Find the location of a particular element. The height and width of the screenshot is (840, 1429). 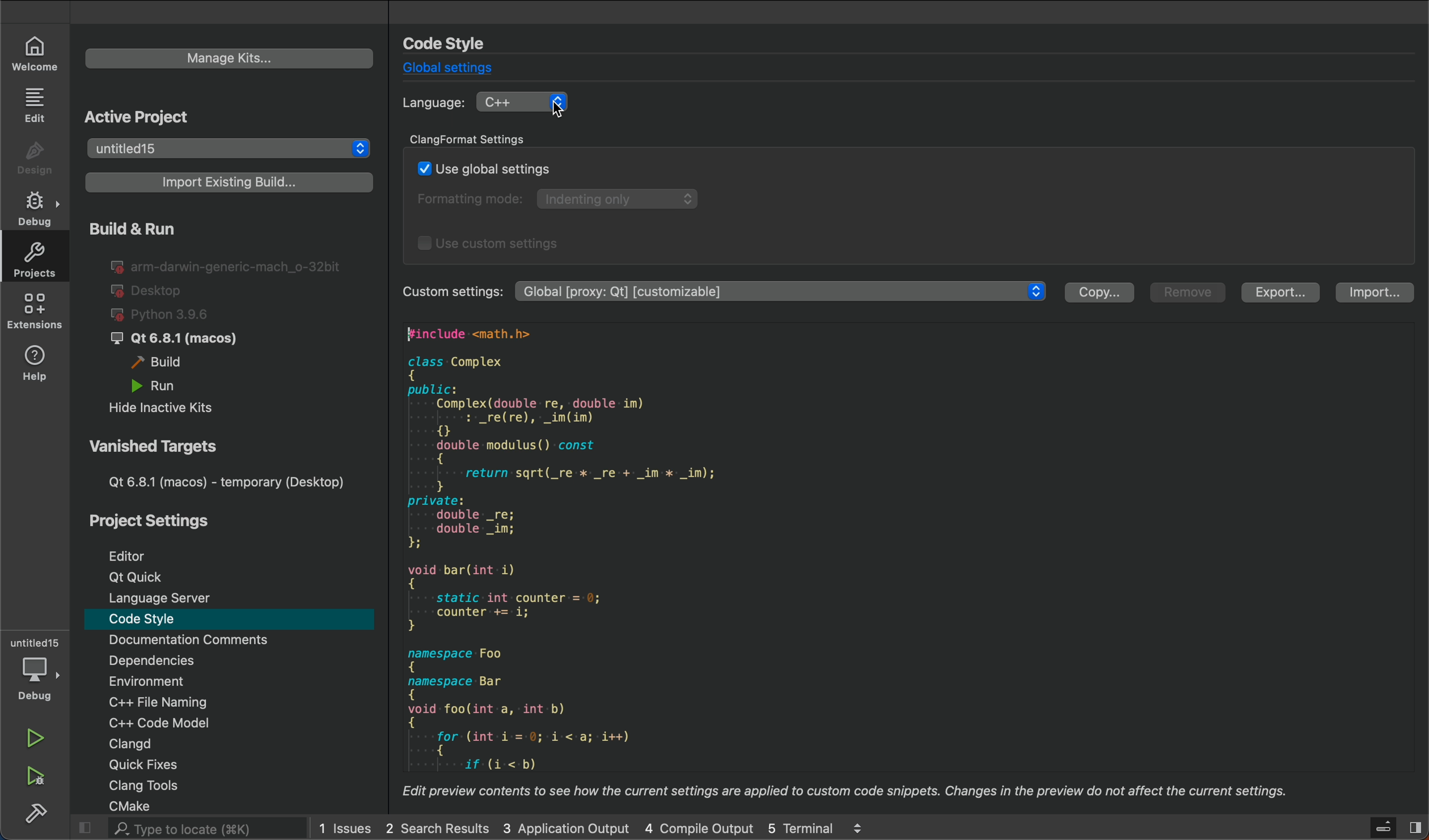

run is located at coordinates (36, 740).